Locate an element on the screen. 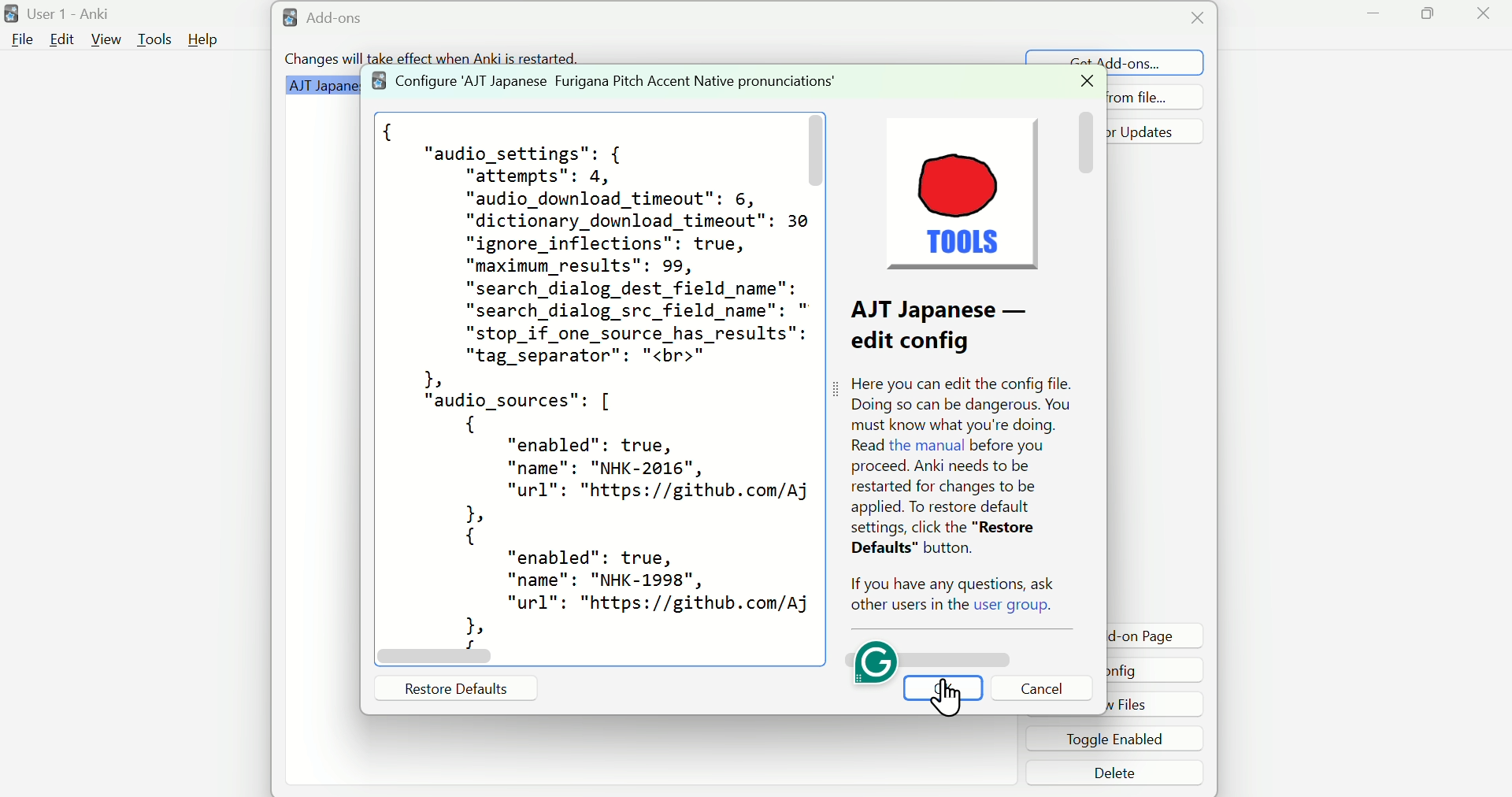  OK is located at coordinates (943, 688).